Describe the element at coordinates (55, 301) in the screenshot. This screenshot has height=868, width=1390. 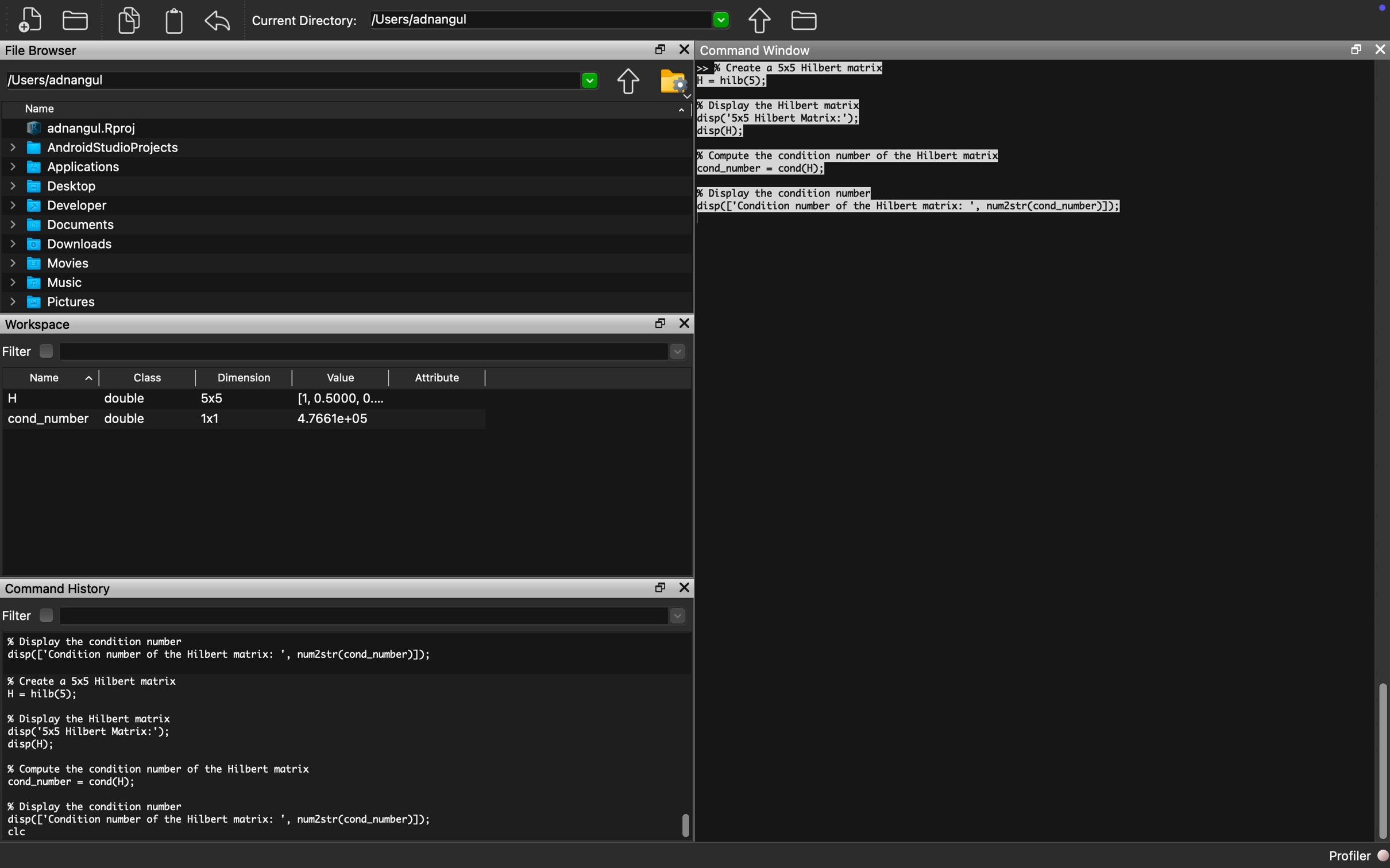
I see `Pictures` at that location.